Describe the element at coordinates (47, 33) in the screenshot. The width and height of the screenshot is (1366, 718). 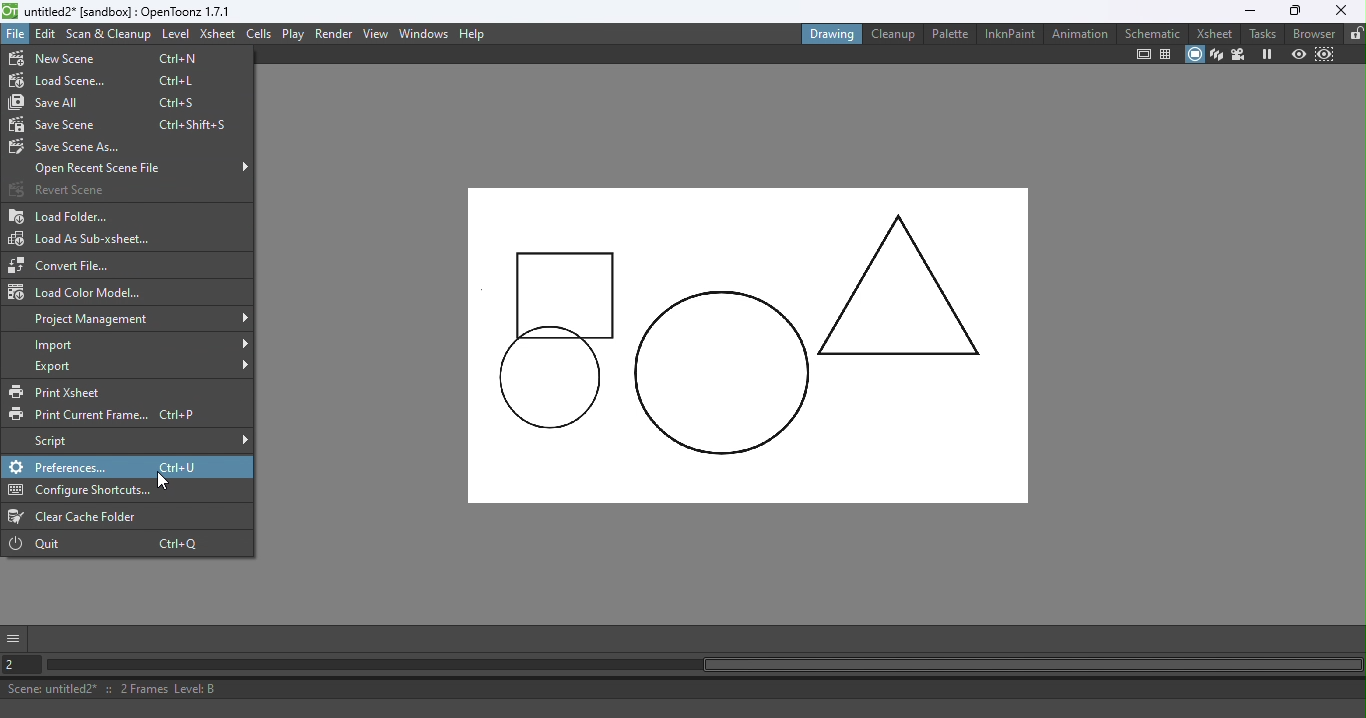
I see `Edit` at that location.